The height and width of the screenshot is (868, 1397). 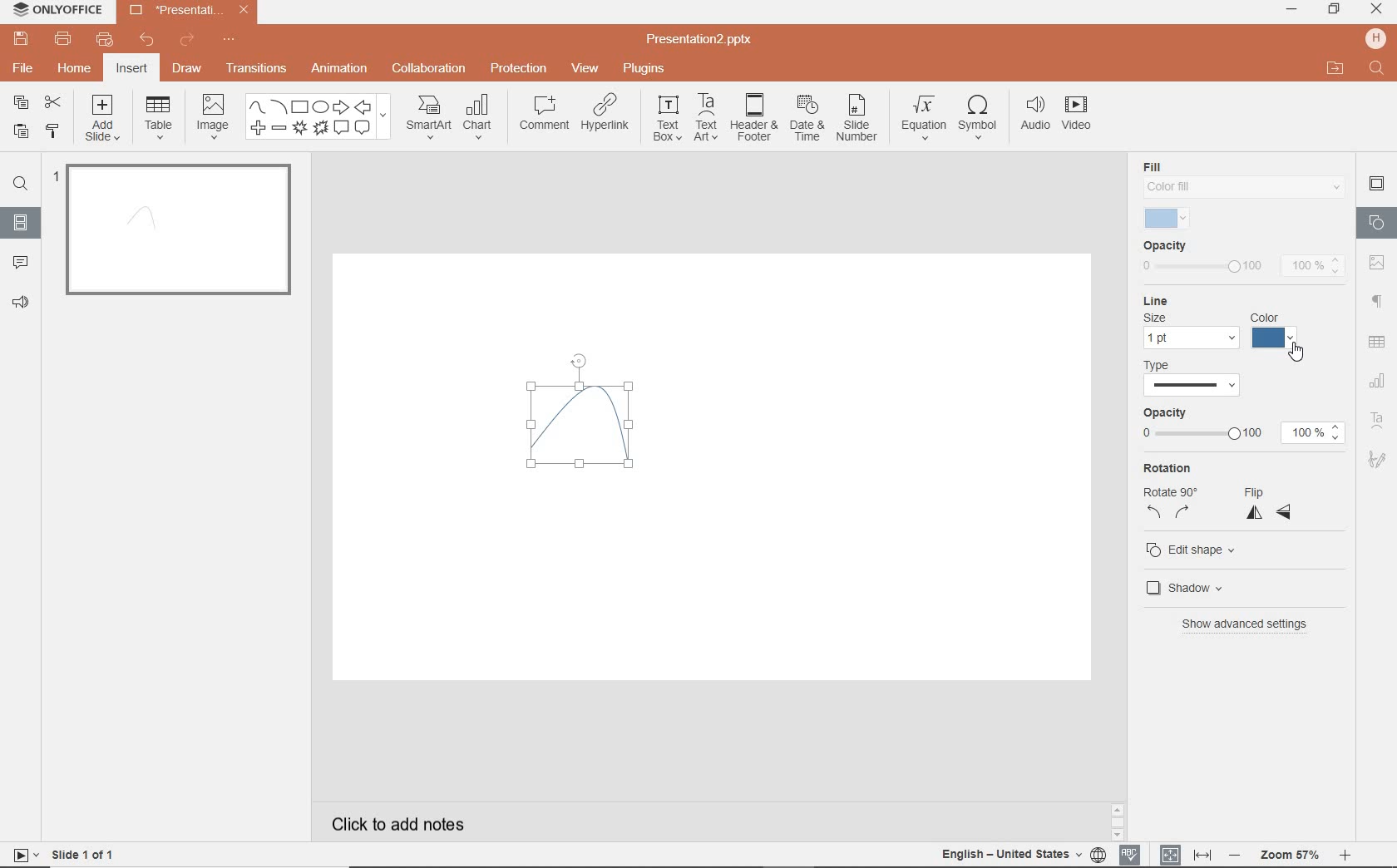 I want to click on CUSTOMIZE QUICK ACCESS TOOLBAR, so click(x=229, y=42).